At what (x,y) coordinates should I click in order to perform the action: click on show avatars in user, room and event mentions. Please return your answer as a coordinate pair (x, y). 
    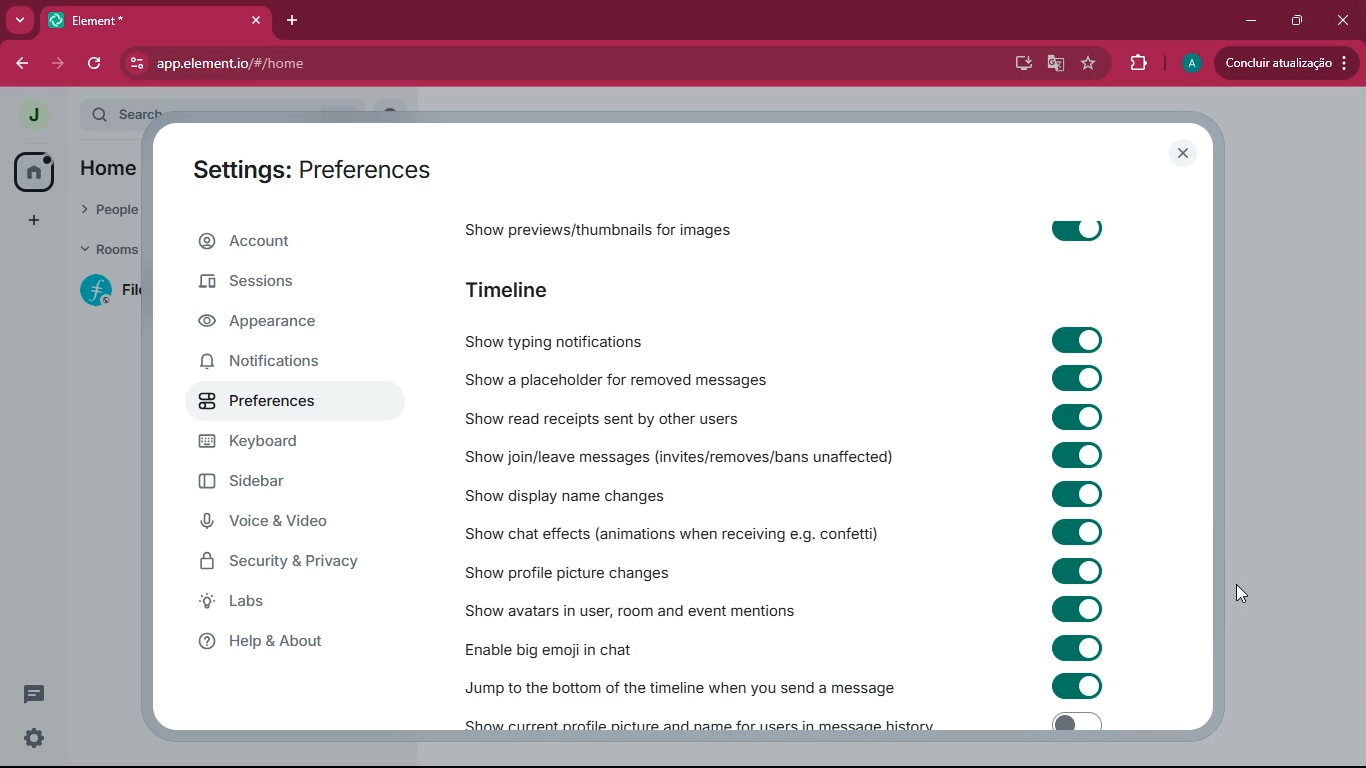
    Looking at the image, I should click on (638, 608).